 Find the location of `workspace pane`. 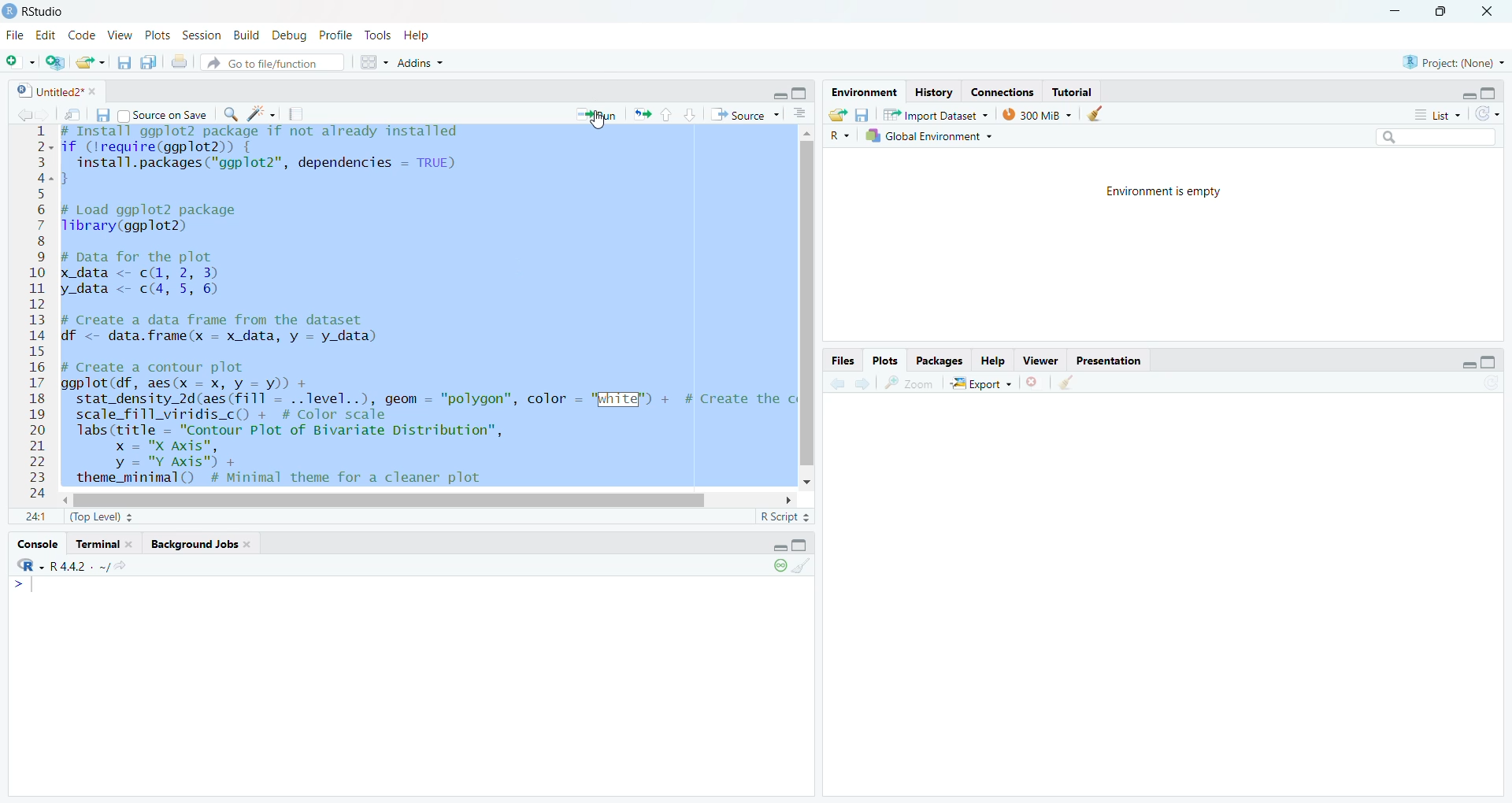

workspace pane is located at coordinates (372, 60).